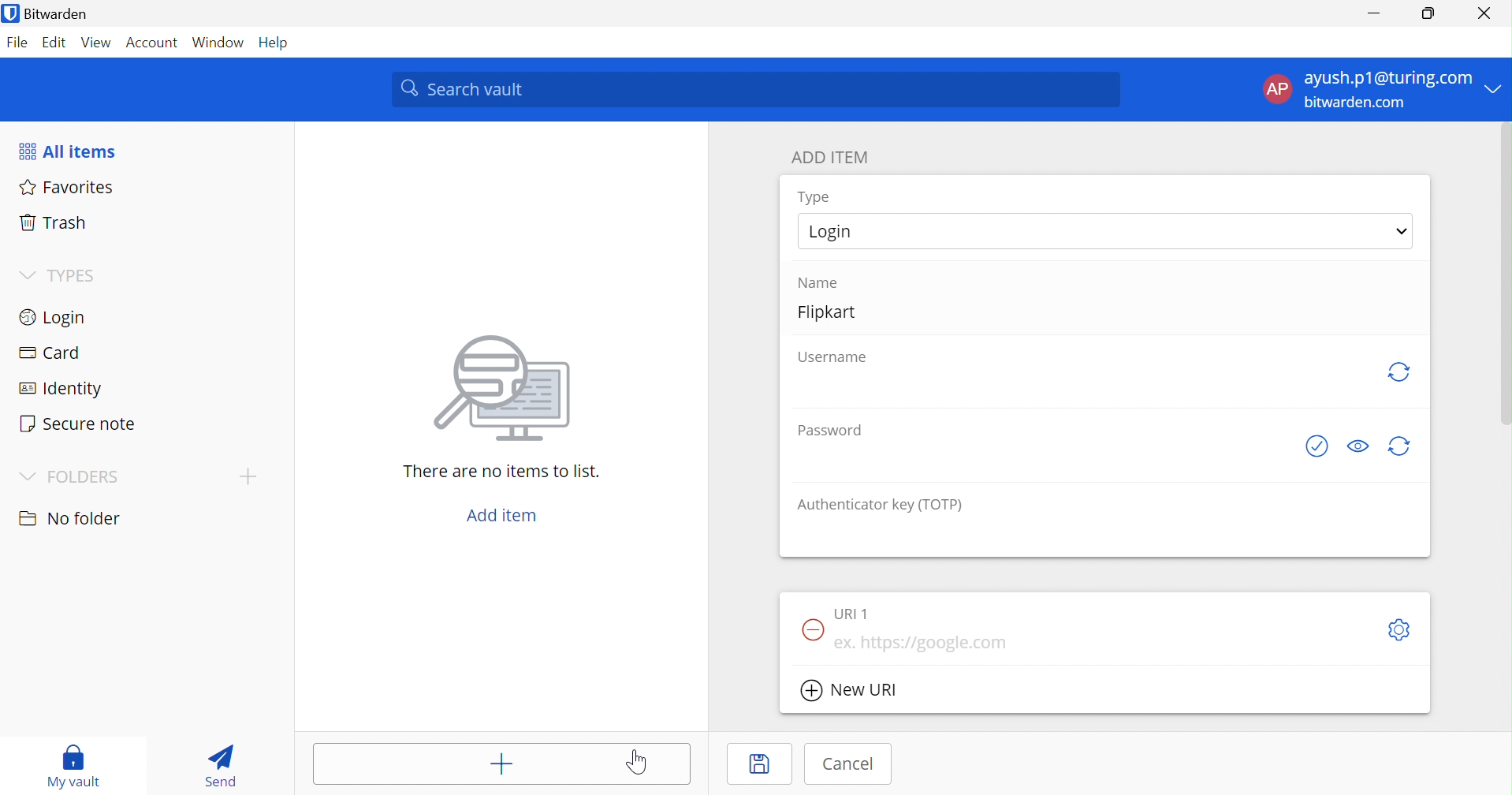  What do you see at coordinates (635, 762) in the screenshot?
I see `Cursor` at bounding box center [635, 762].